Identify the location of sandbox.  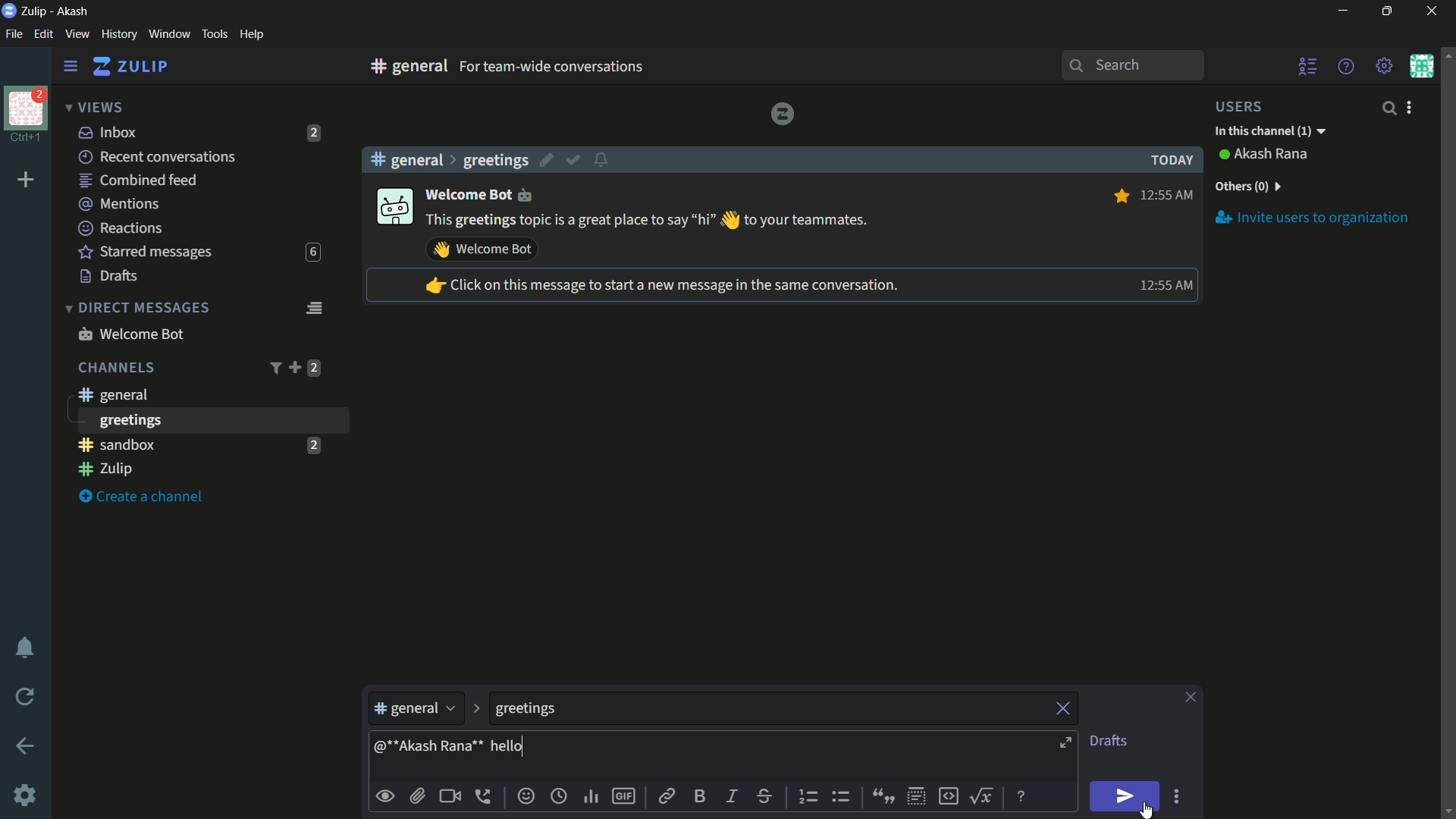
(185, 444).